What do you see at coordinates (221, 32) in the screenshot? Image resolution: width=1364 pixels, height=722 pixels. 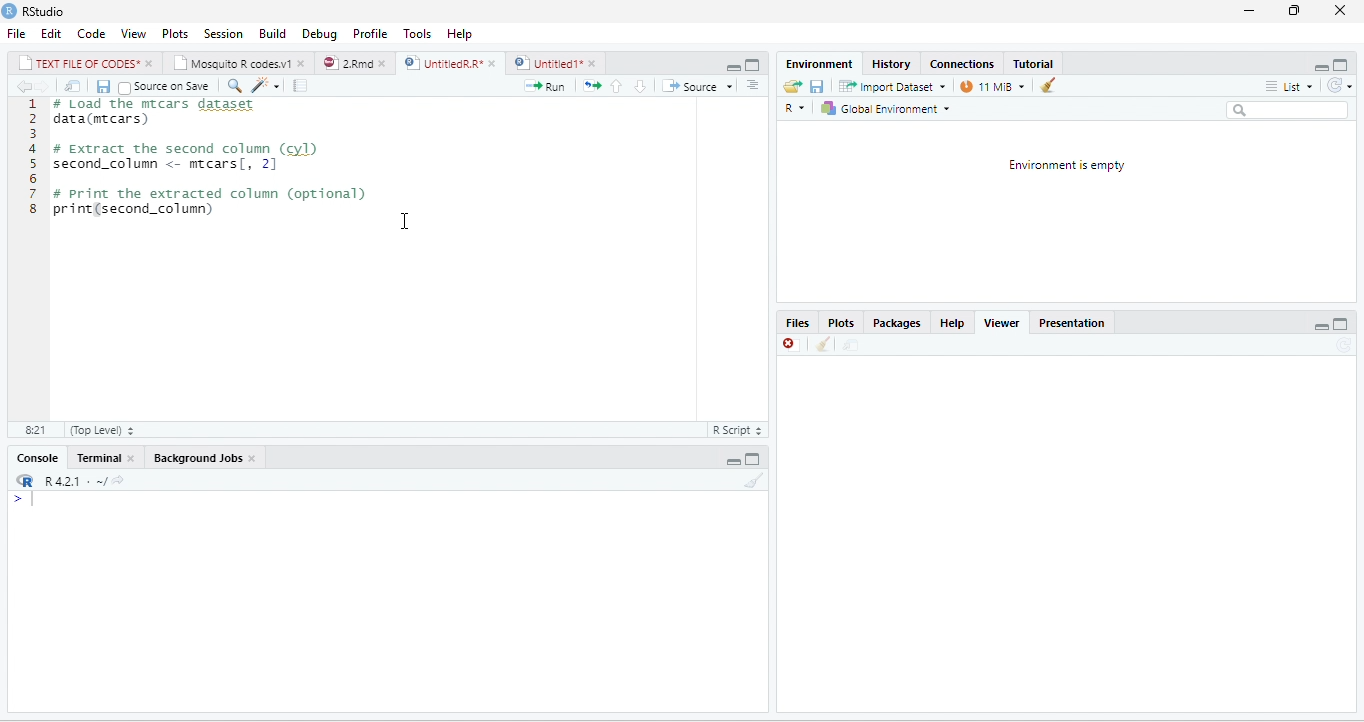 I see `Session` at bounding box center [221, 32].